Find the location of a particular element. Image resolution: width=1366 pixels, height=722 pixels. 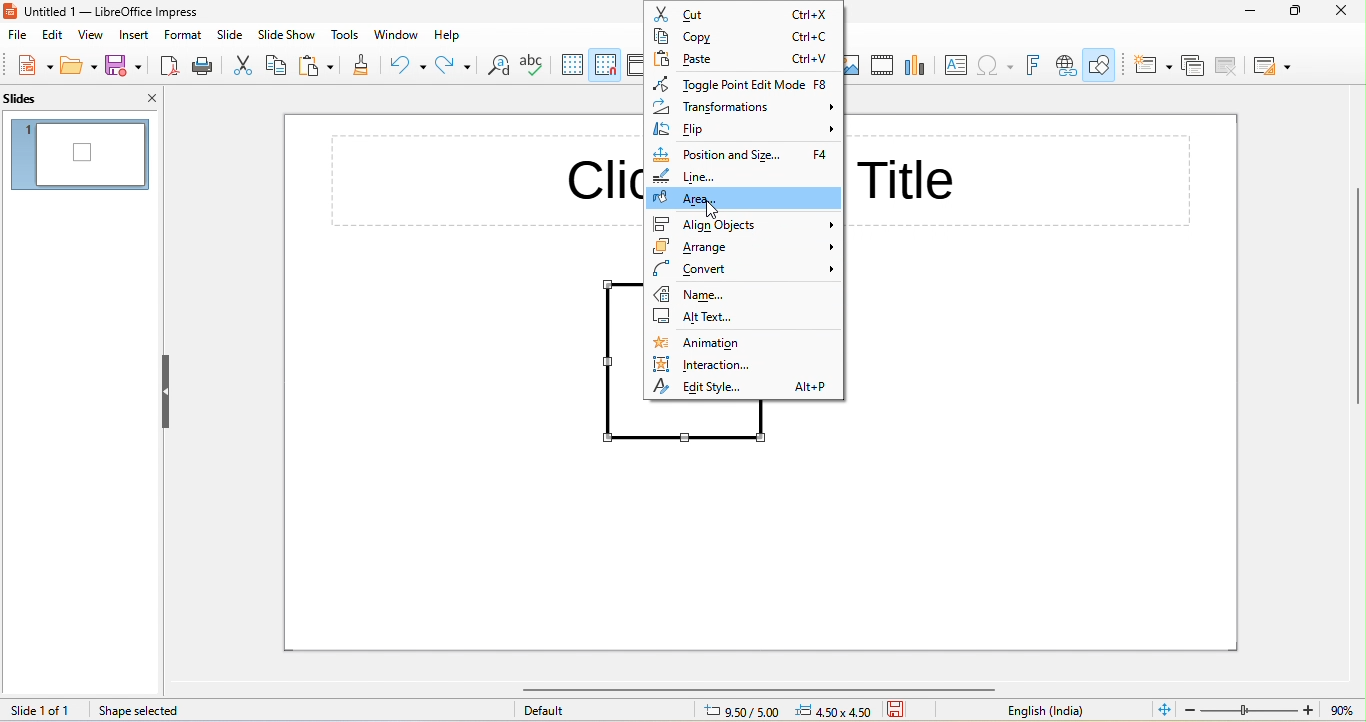

snap to grid is located at coordinates (604, 65).